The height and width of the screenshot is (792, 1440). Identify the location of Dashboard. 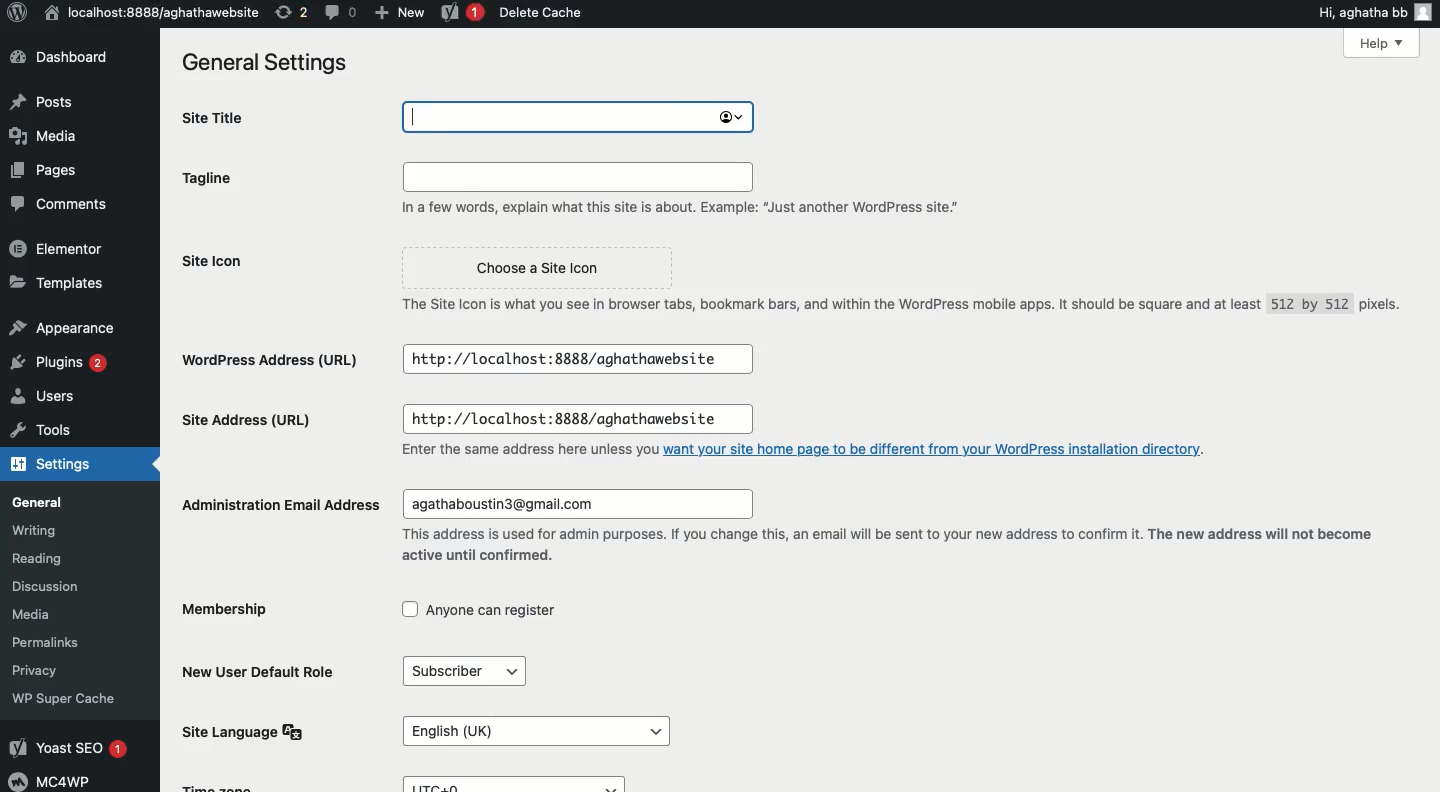
(60, 59).